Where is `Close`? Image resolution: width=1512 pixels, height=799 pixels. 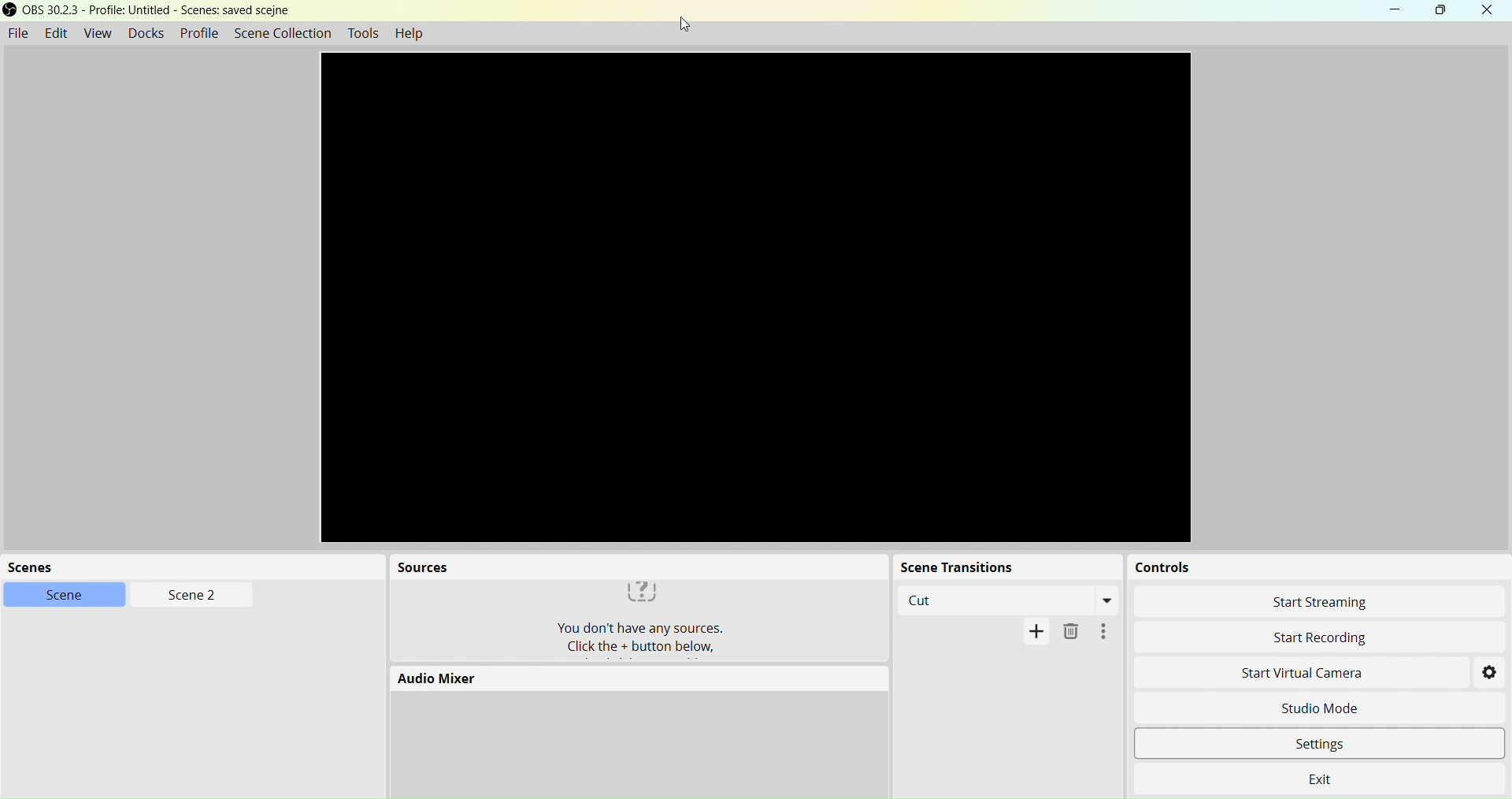
Close is located at coordinates (1488, 11).